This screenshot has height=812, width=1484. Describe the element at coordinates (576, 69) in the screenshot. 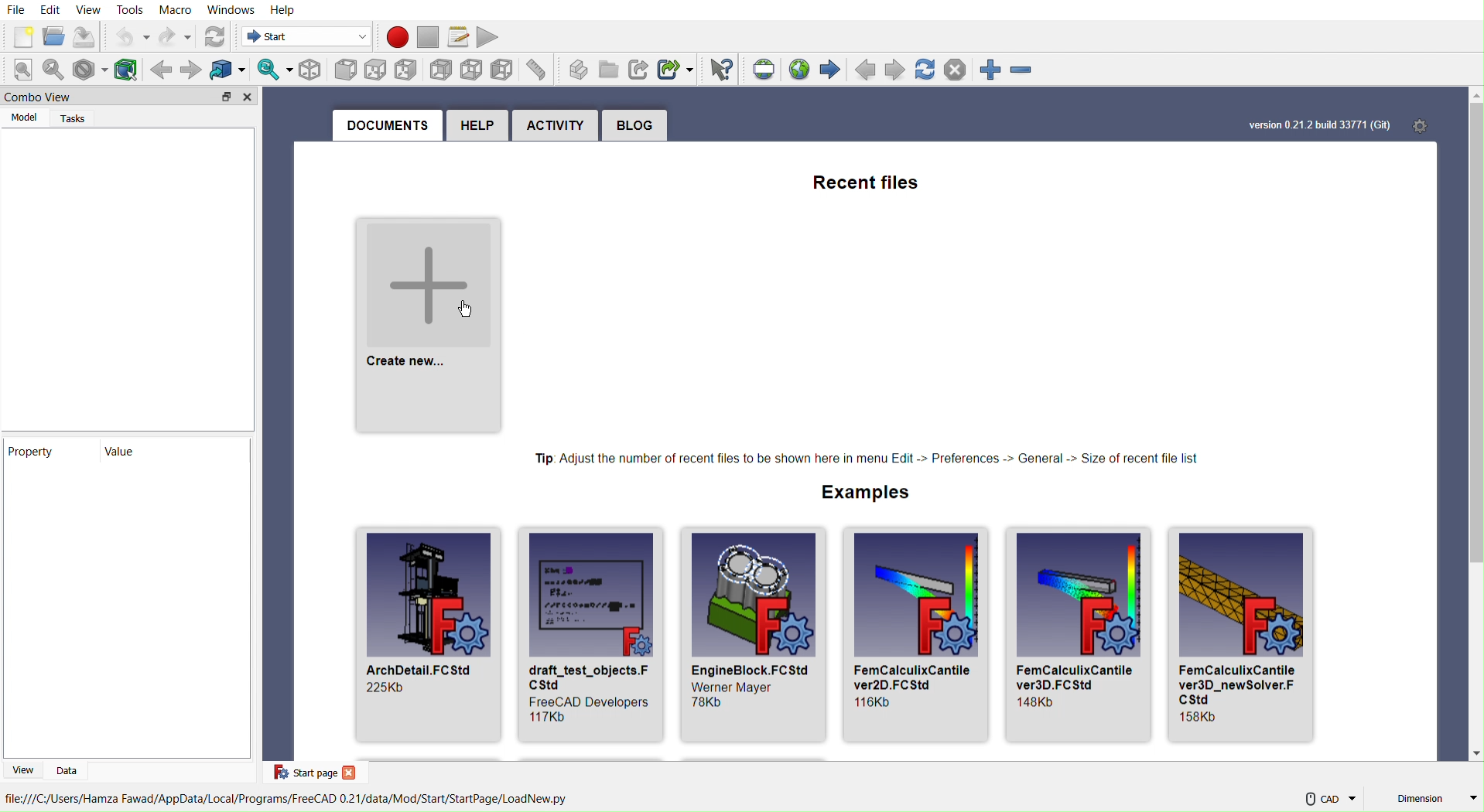

I see `Create a new part` at that location.